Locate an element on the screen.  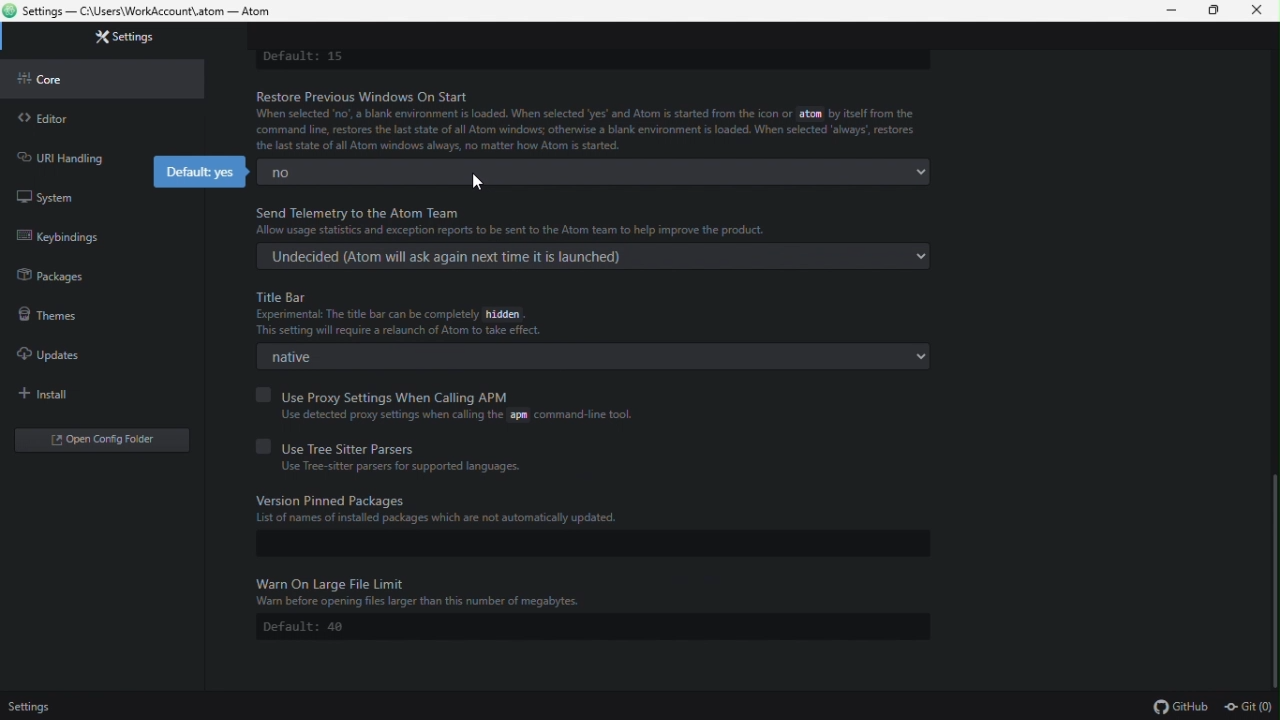
github is located at coordinates (1179, 706).